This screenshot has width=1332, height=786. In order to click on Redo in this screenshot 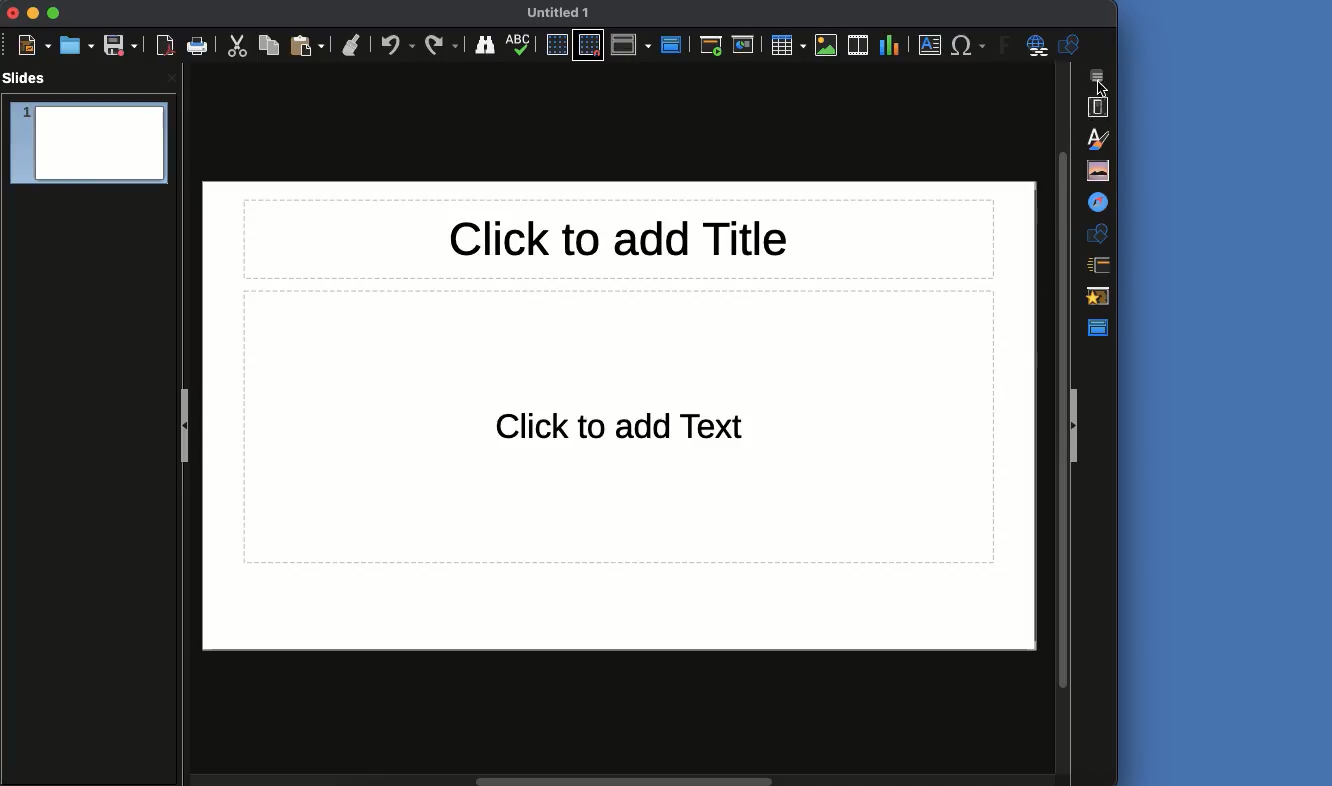, I will do `click(442, 44)`.